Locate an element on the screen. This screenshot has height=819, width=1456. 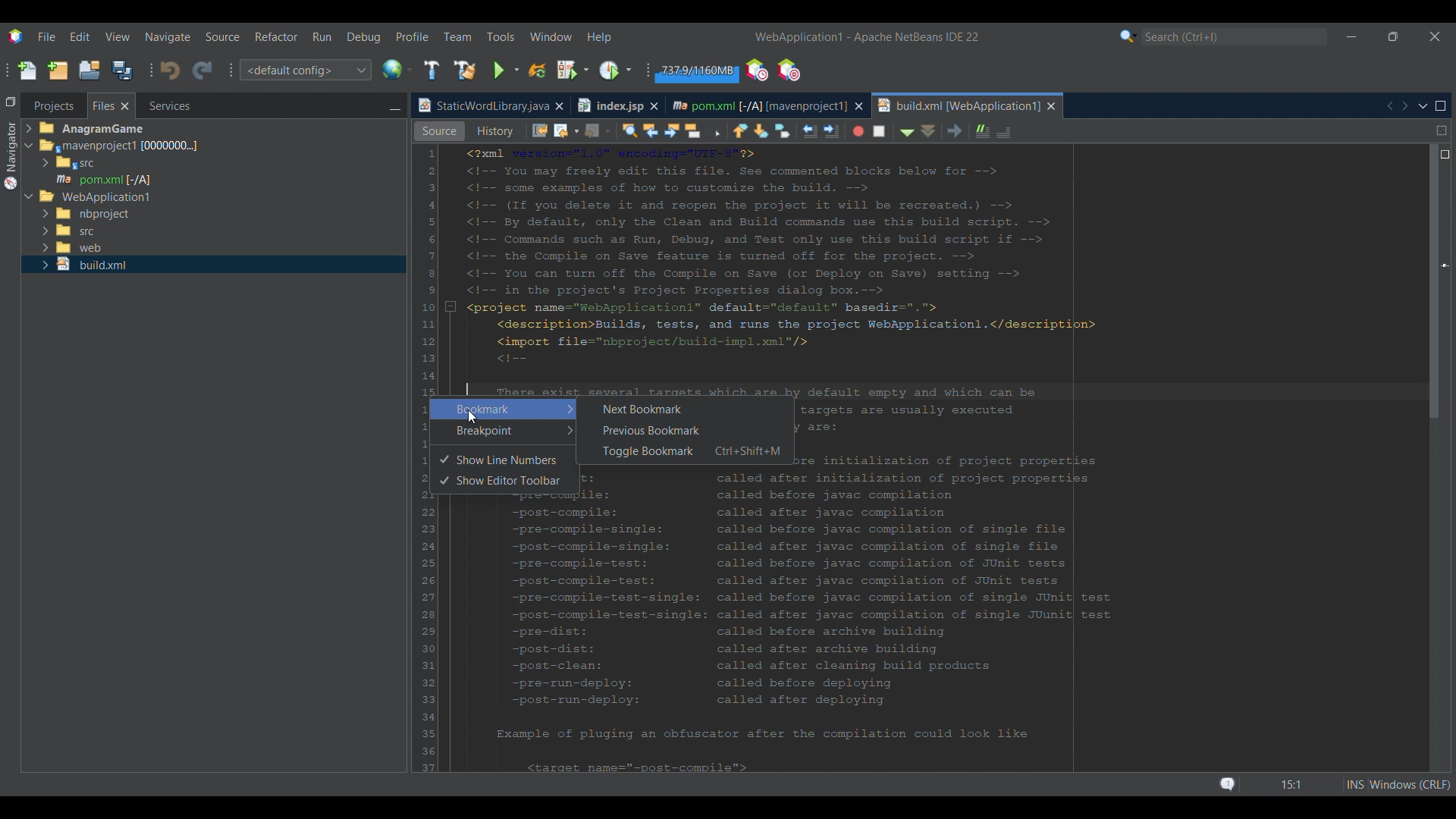
Navigator menu is located at coordinates (9, 155).